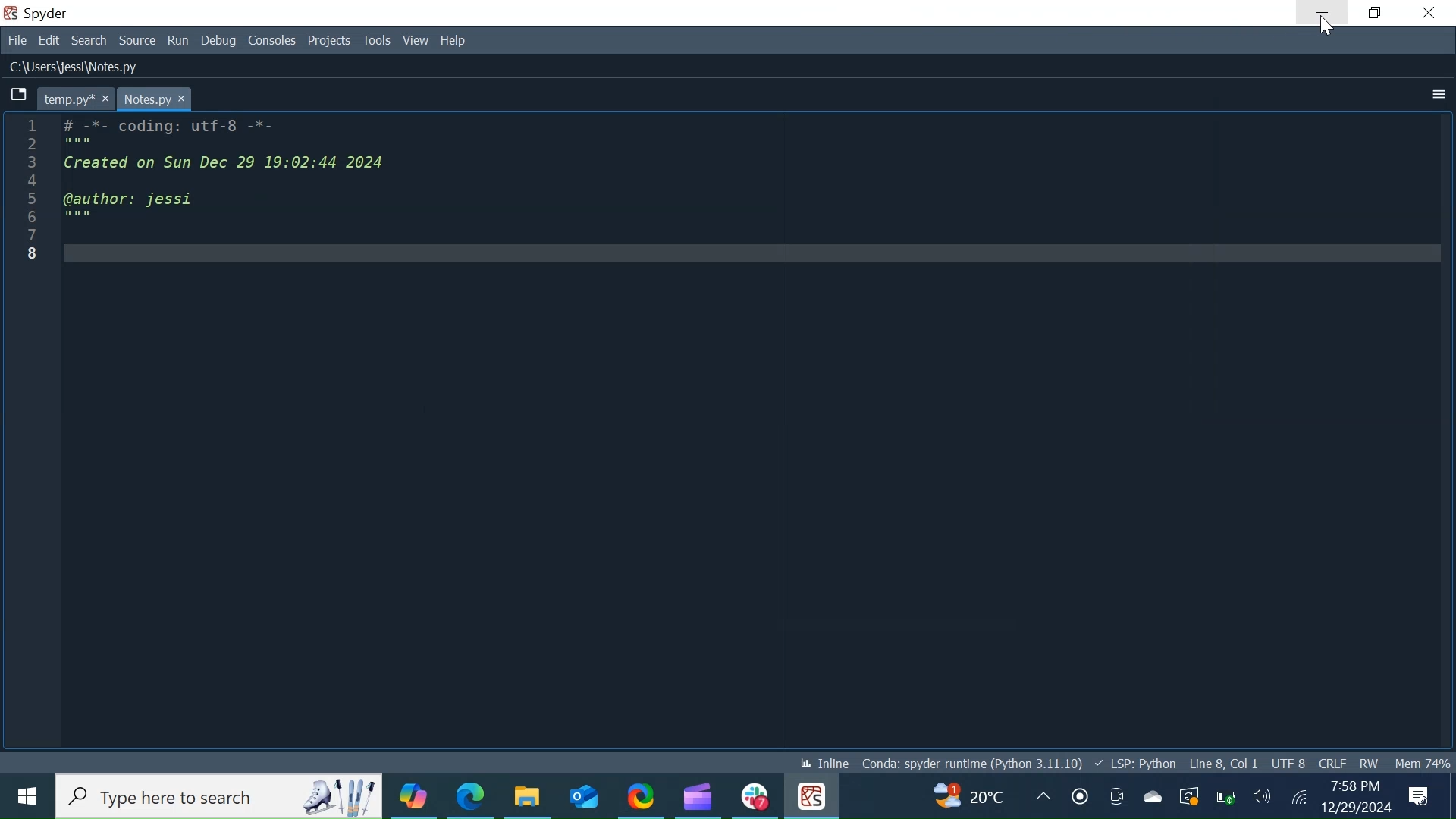  Describe the element at coordinates (1263, 797) in the screenshot. I see `Speaker` at that location.